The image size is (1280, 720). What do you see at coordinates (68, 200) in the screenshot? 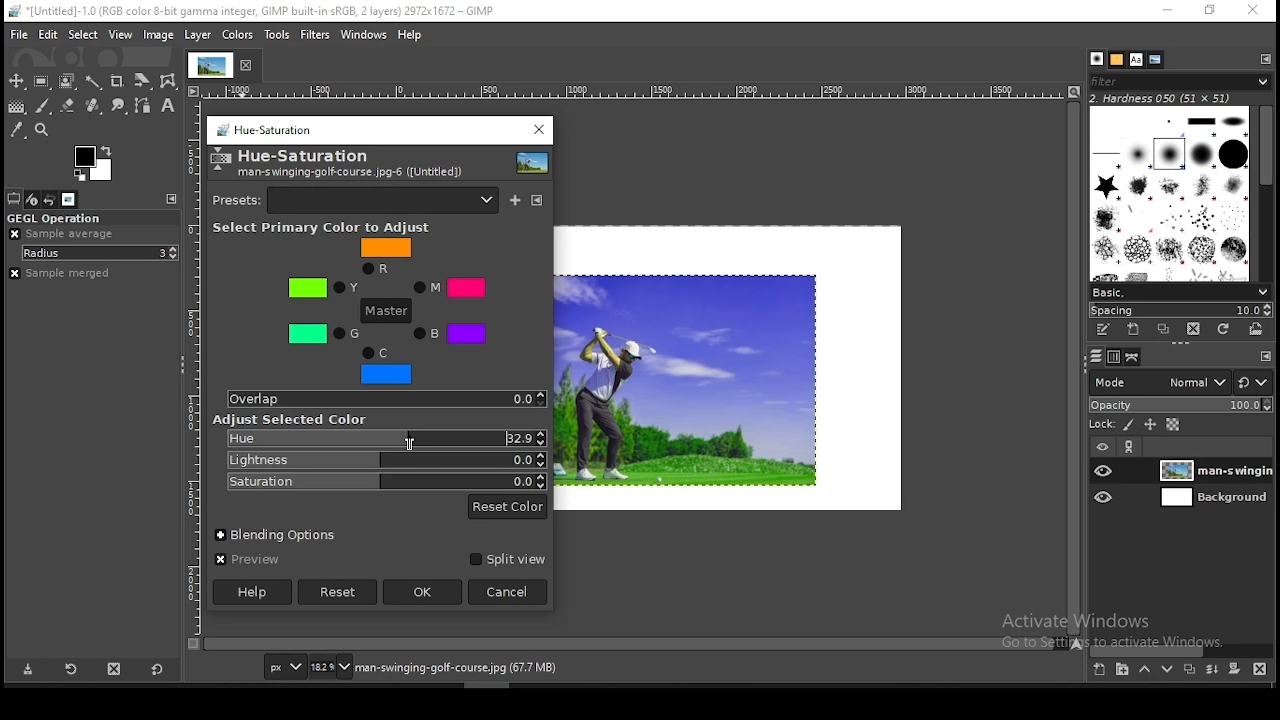
I see `images` at bounding box center [68, 200].